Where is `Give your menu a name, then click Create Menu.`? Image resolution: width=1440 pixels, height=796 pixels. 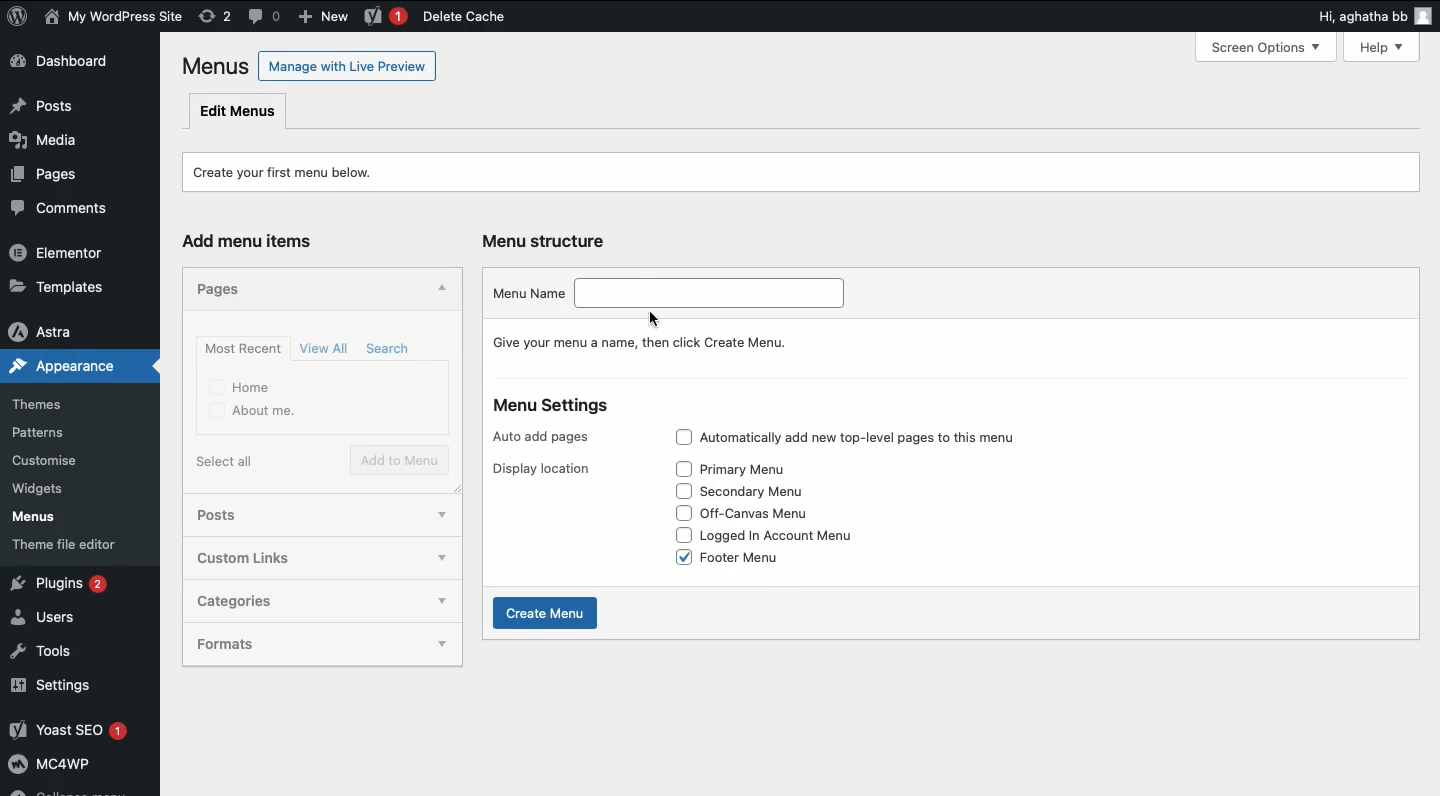
Give your menu a name, then click Create Menu. is located at coordinates (651, 341).